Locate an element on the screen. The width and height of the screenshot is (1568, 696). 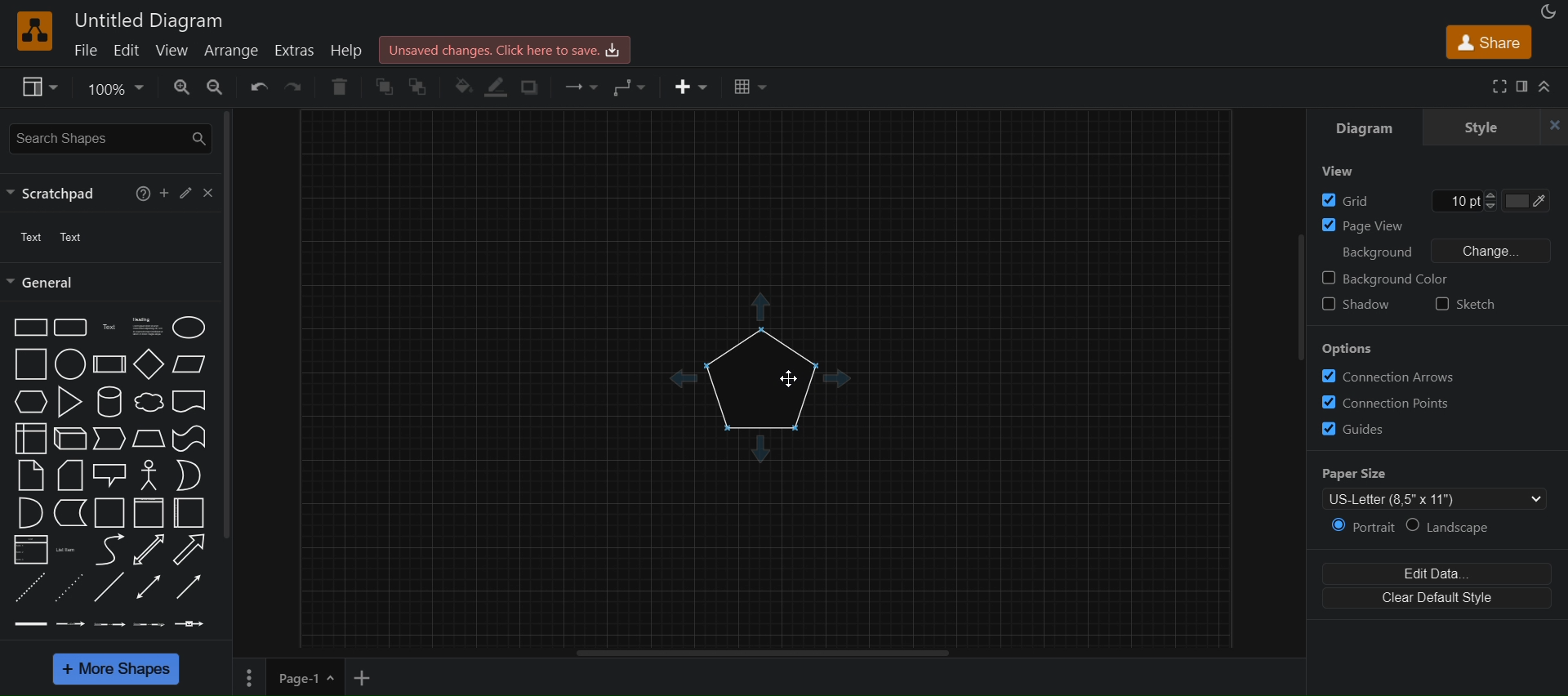
Or is located at coordinates (189, 475).